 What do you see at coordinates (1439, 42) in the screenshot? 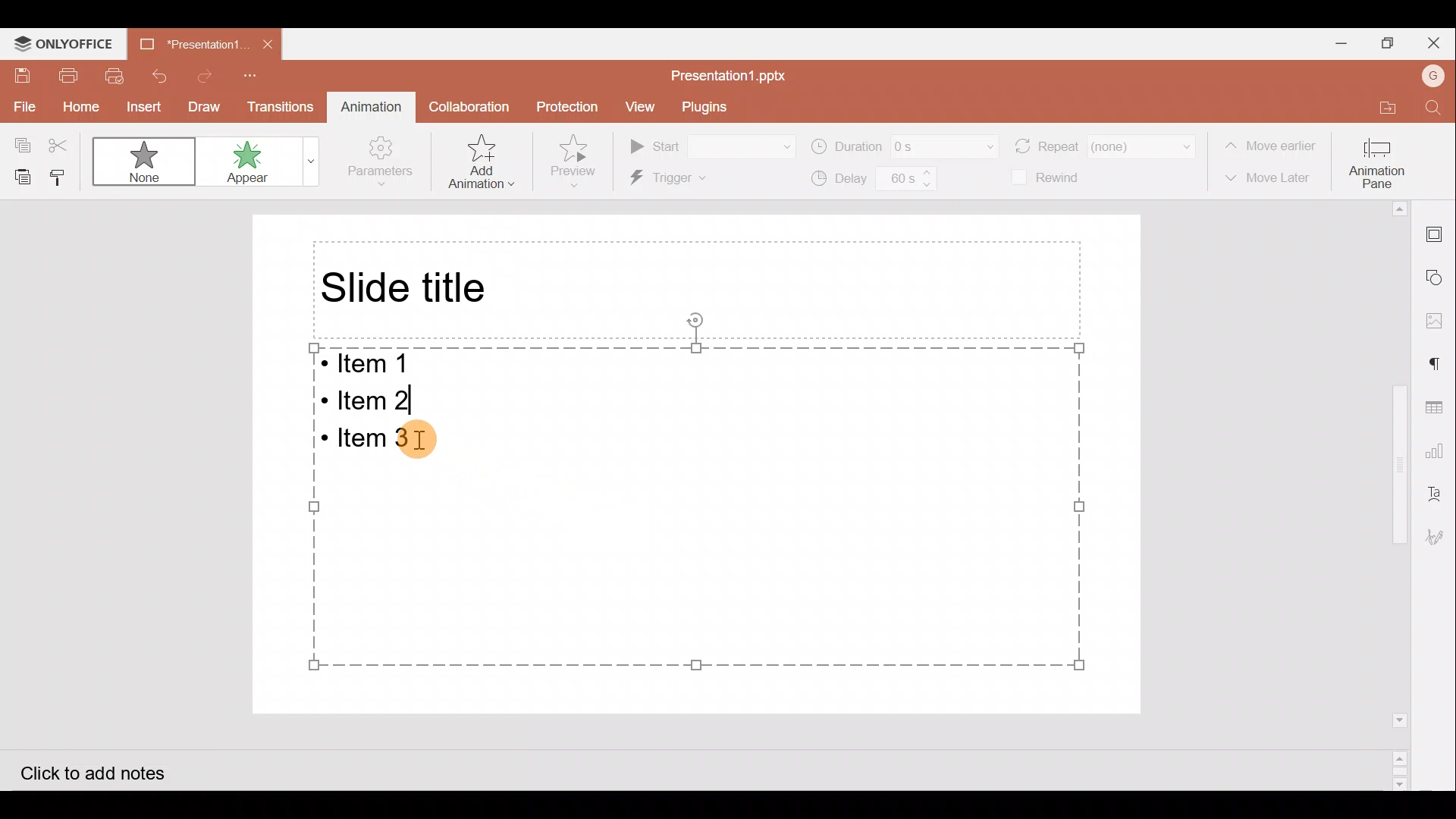
I see `Close` at bounding box center [1439, 42].